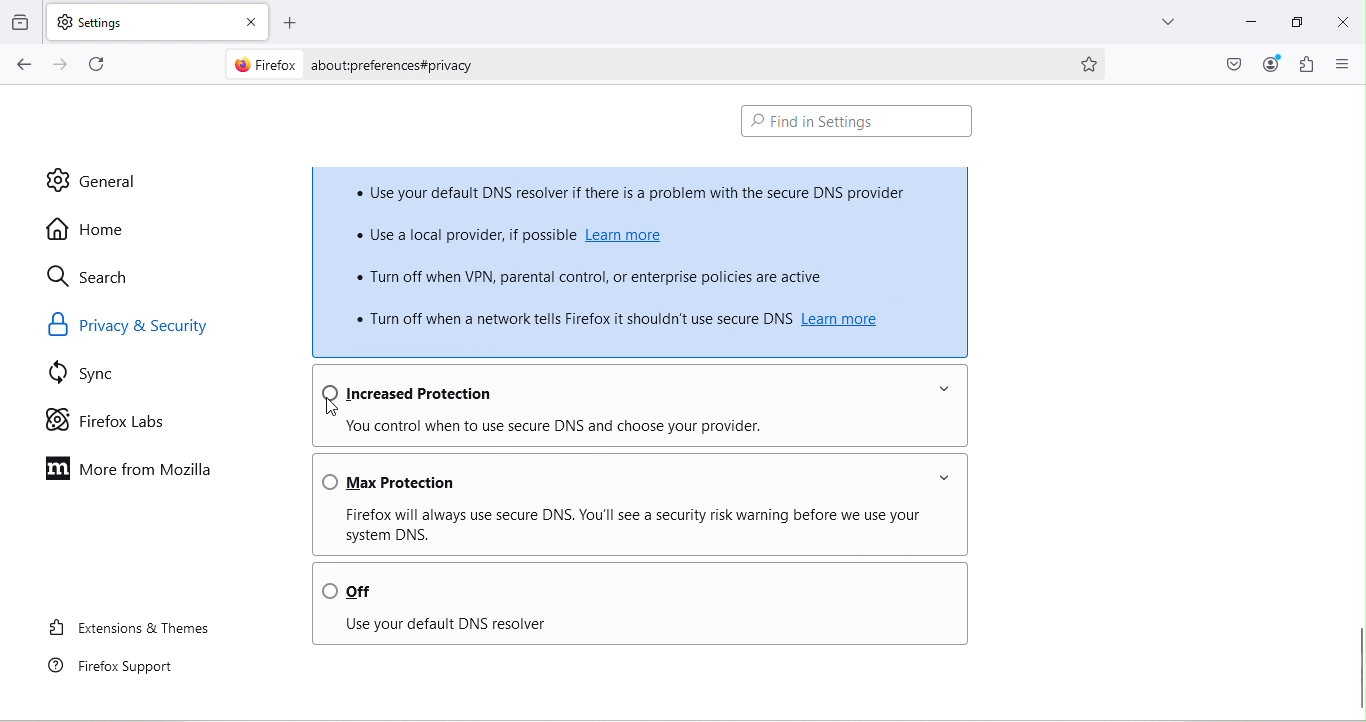 The width and height of the screenshot is (1366, 722). I want to click on close tab, so click(248, 18).